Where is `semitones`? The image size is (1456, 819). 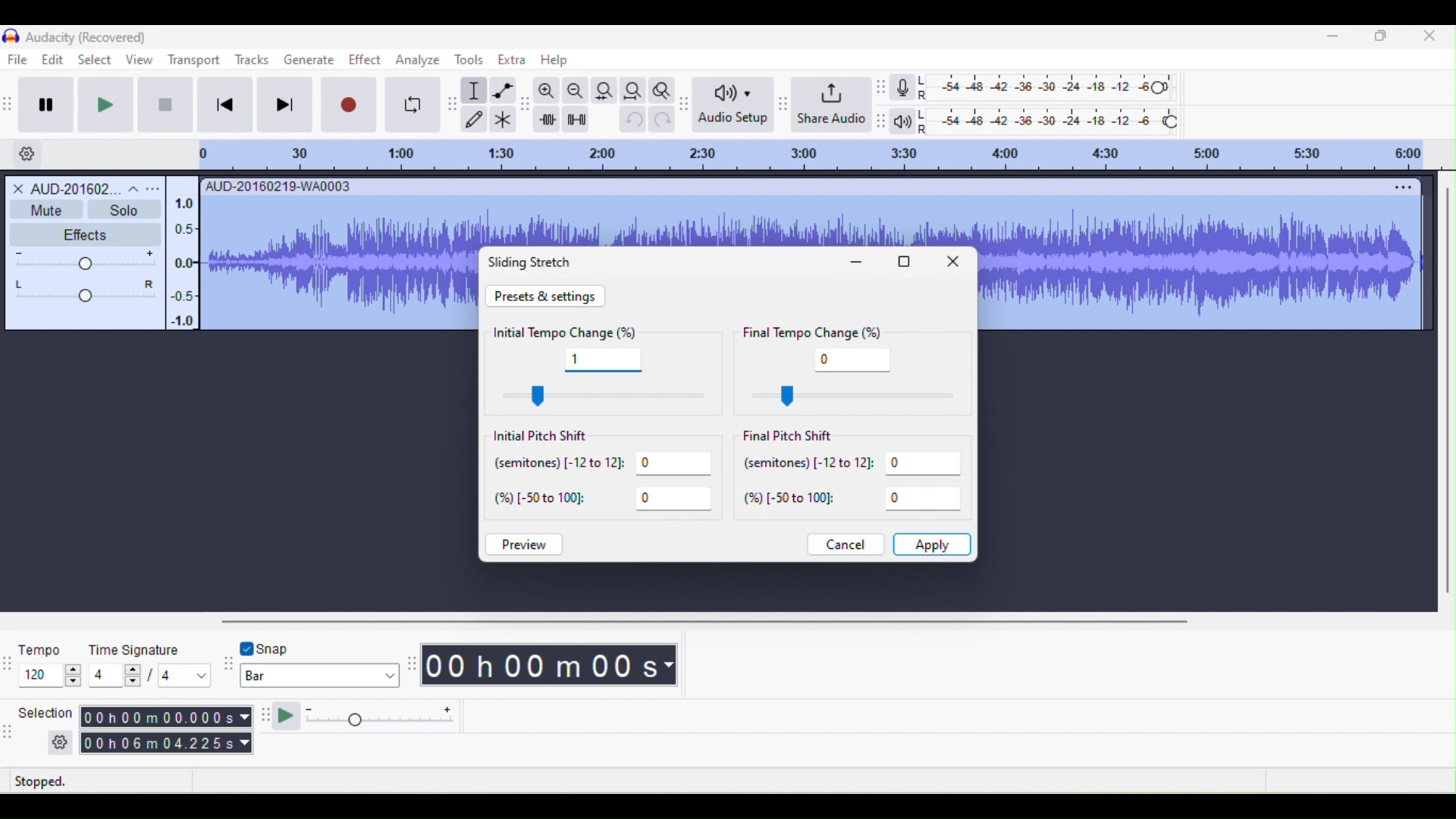 semitones is located at coordinates (604, 466).